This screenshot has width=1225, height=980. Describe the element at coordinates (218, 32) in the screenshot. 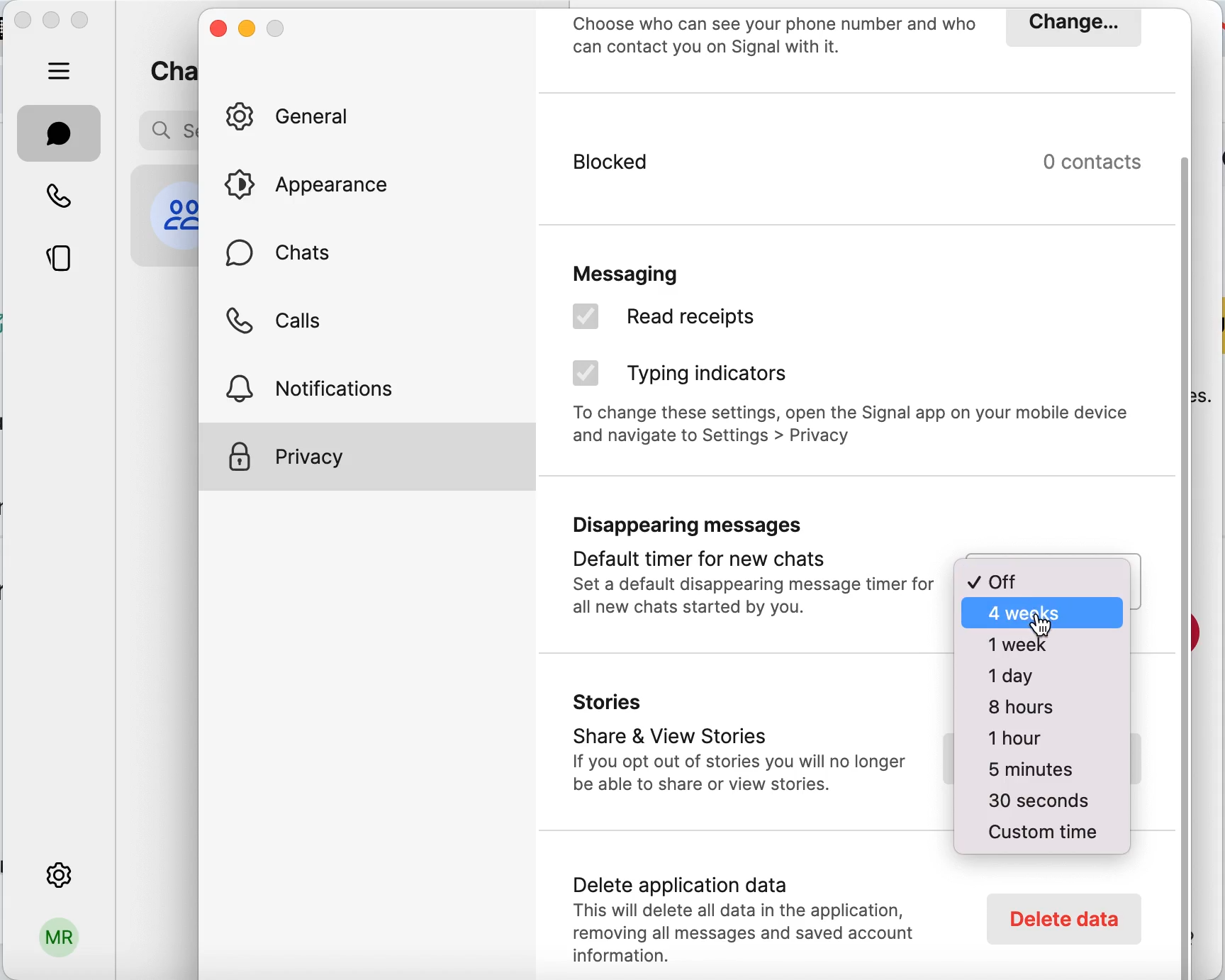

I see `close` at that location.